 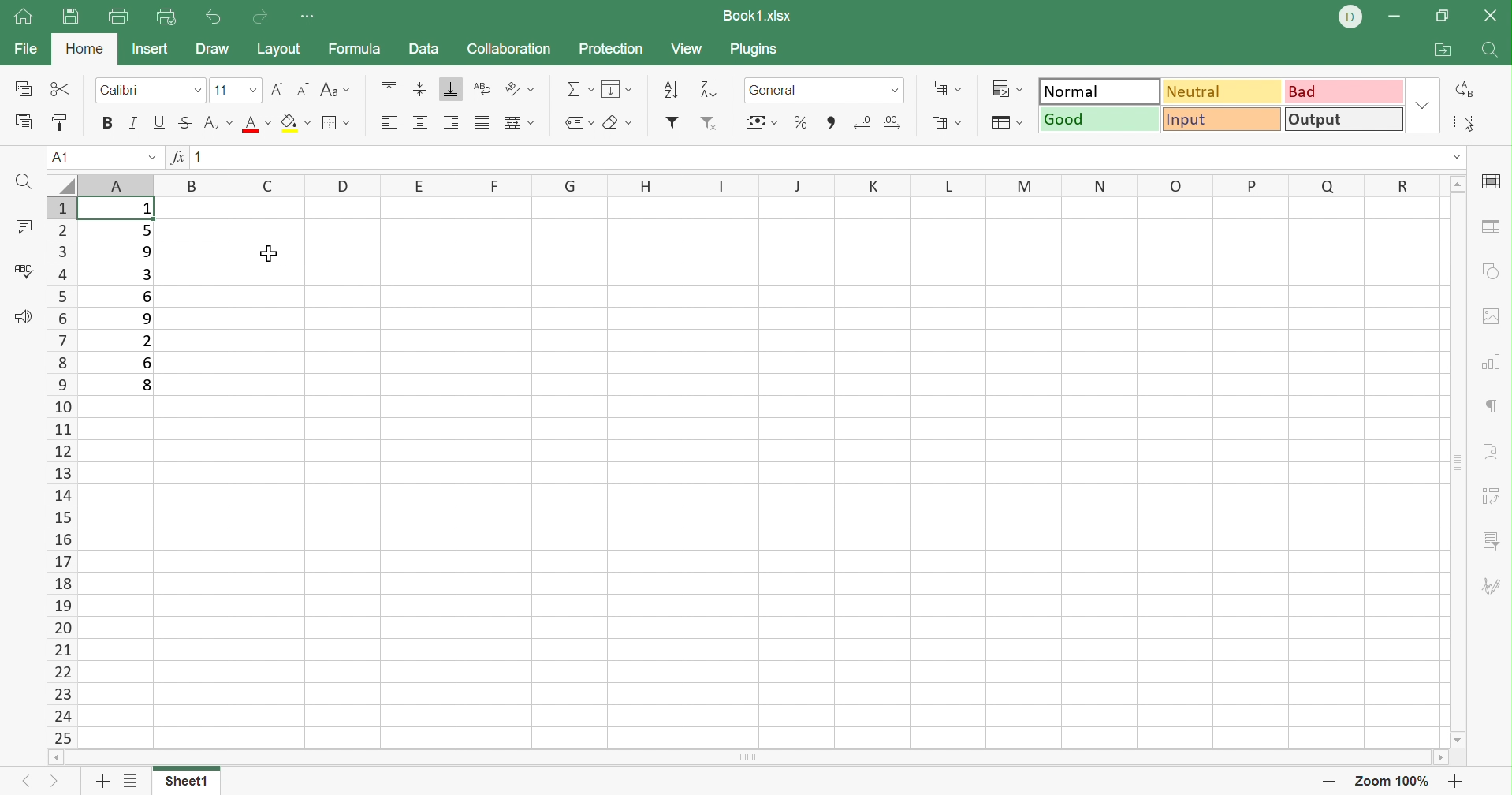 I want to click on 1, so click(x=206, y=157).